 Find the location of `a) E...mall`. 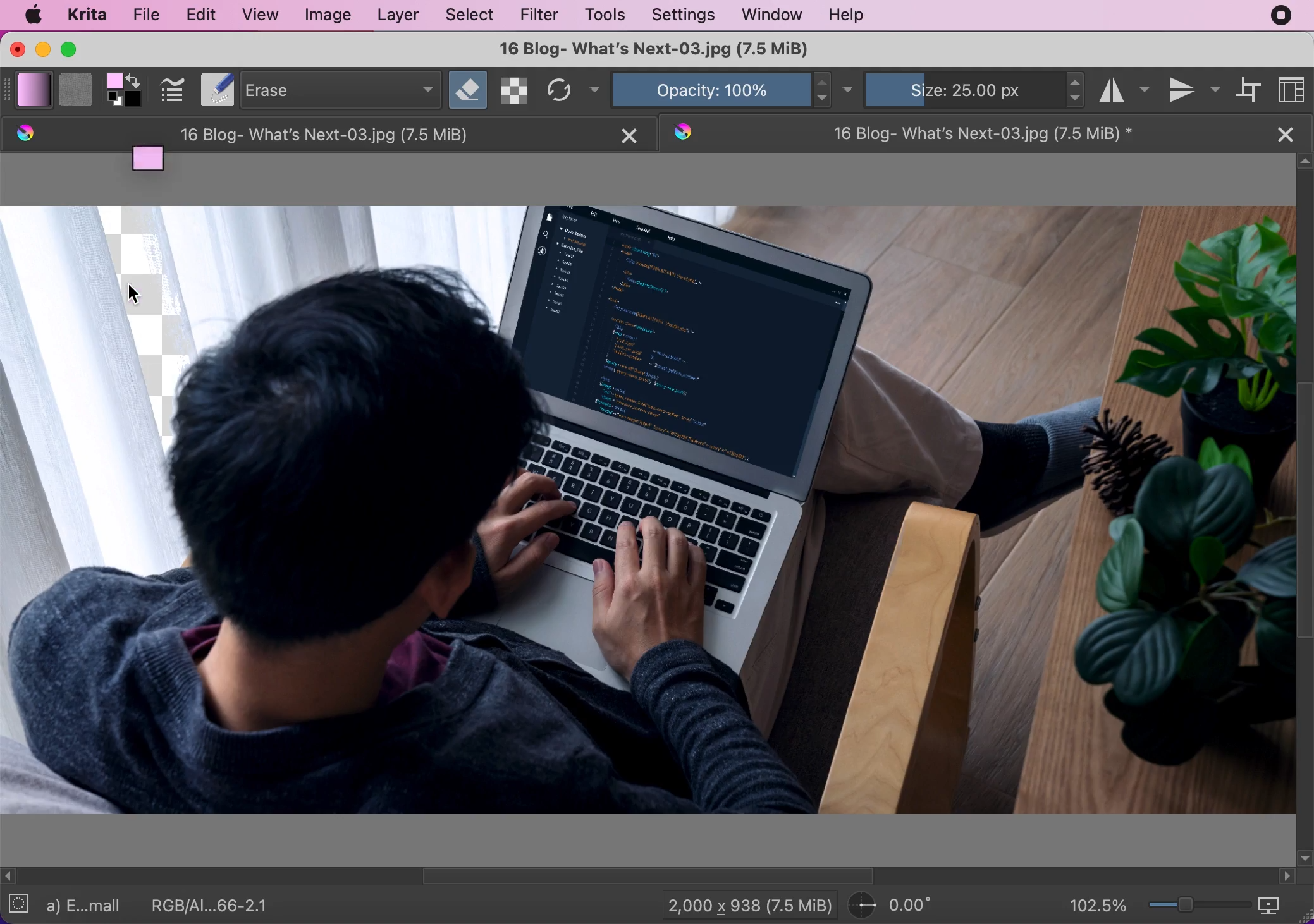

a) E...mall is located at coordinates (89, 906).